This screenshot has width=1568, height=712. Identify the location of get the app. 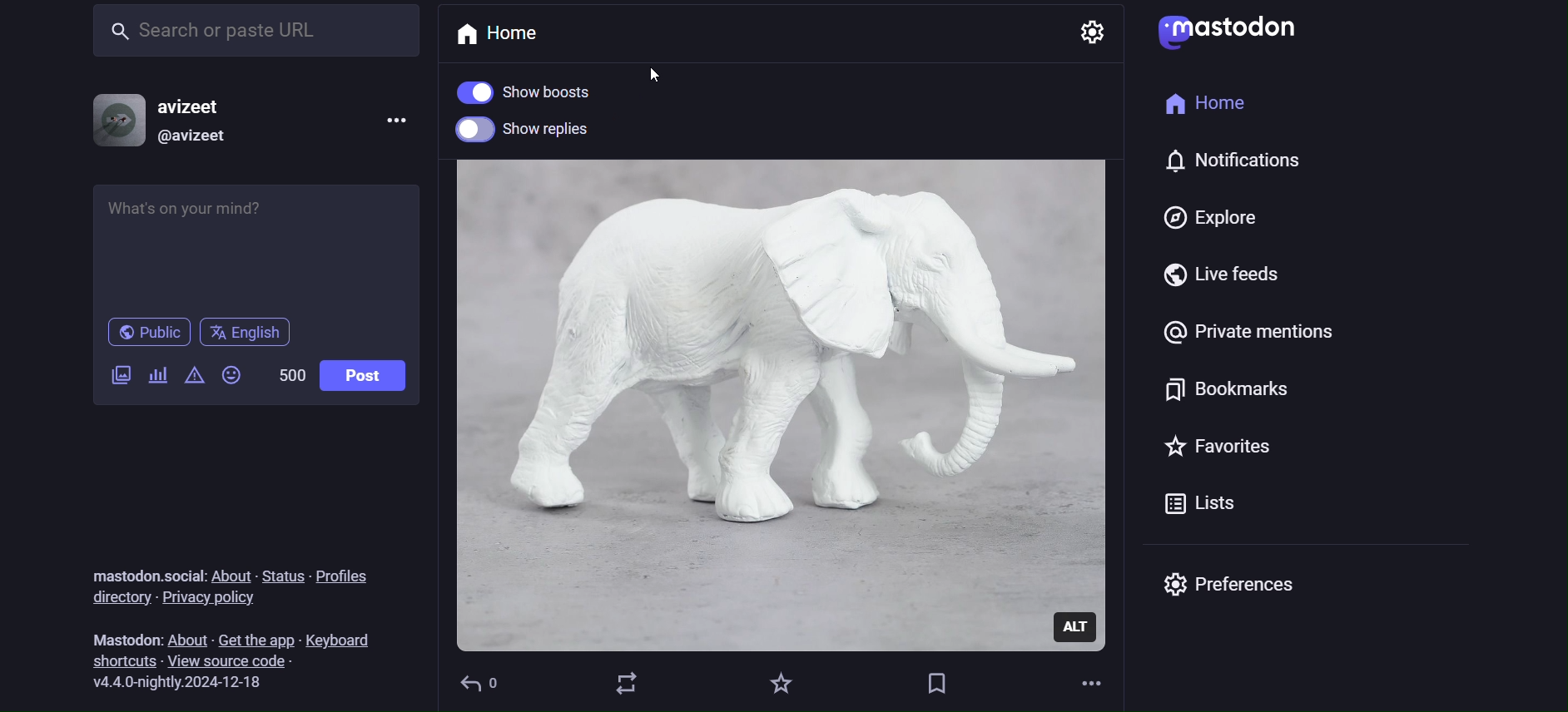
(257, 636).